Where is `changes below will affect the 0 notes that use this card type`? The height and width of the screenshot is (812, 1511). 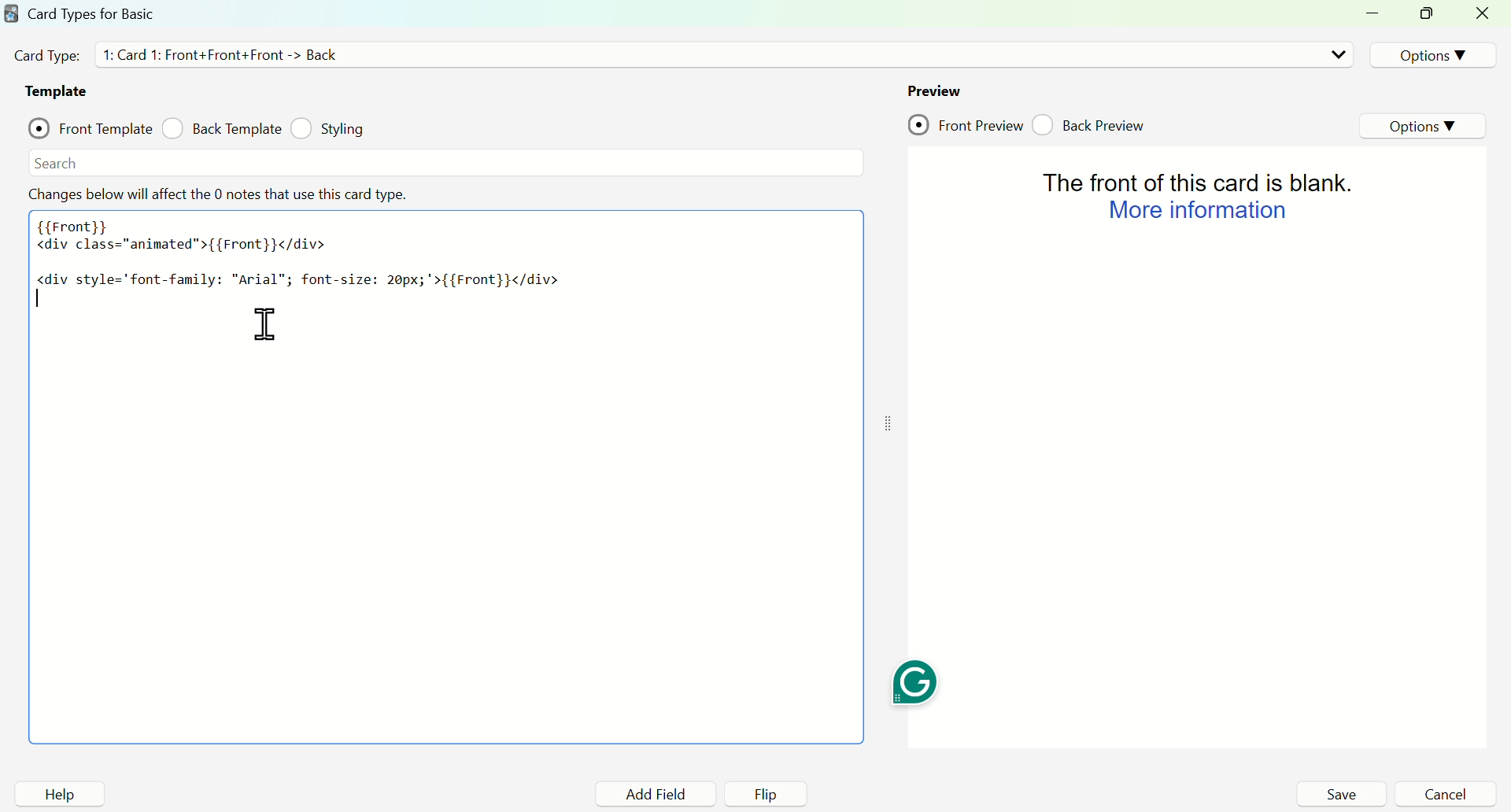 changes below will affect the 0 notes that use this card type is located at coordinates (221, 194).